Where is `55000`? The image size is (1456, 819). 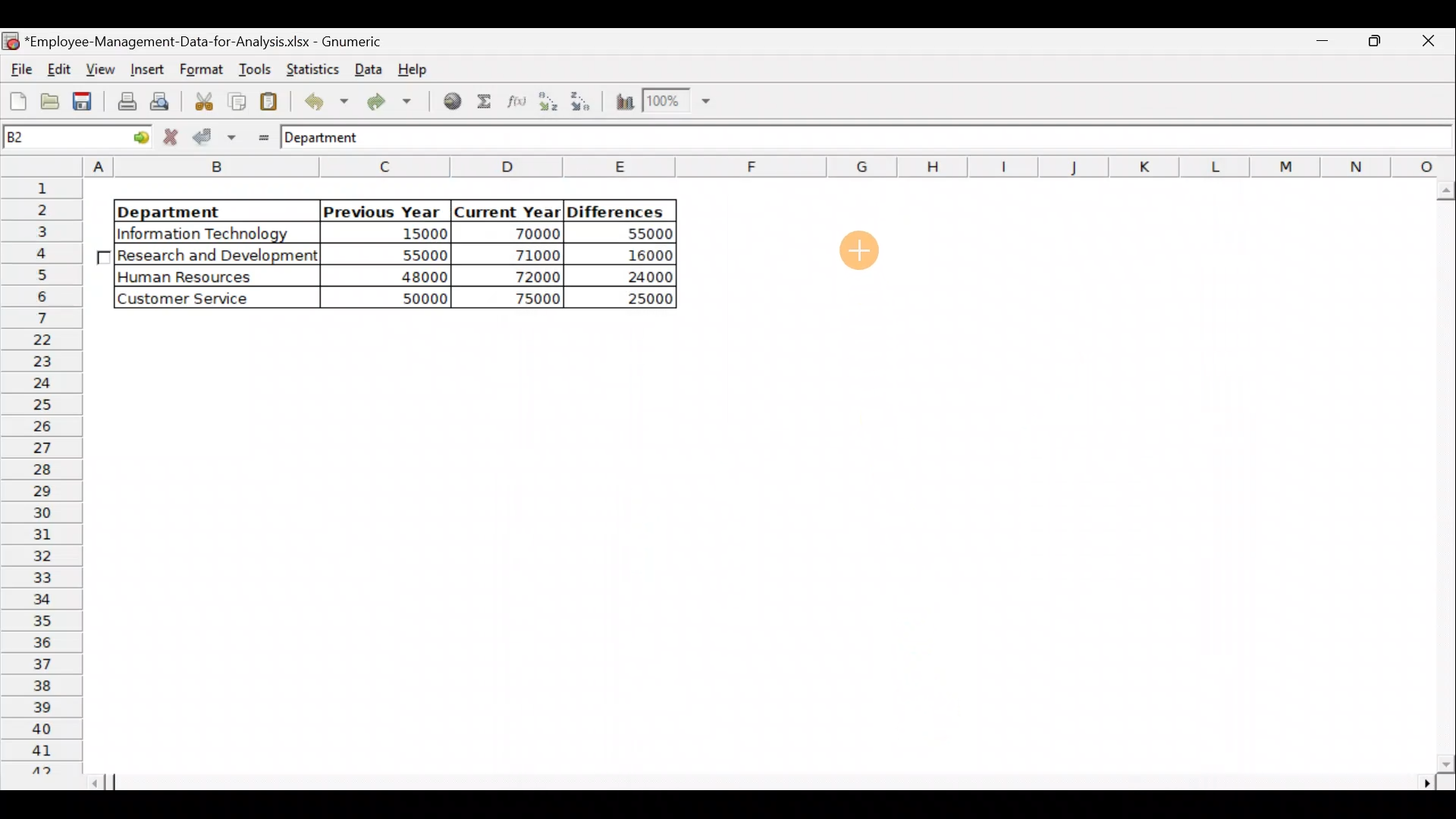
55000 is located at coordinates (416, 255).